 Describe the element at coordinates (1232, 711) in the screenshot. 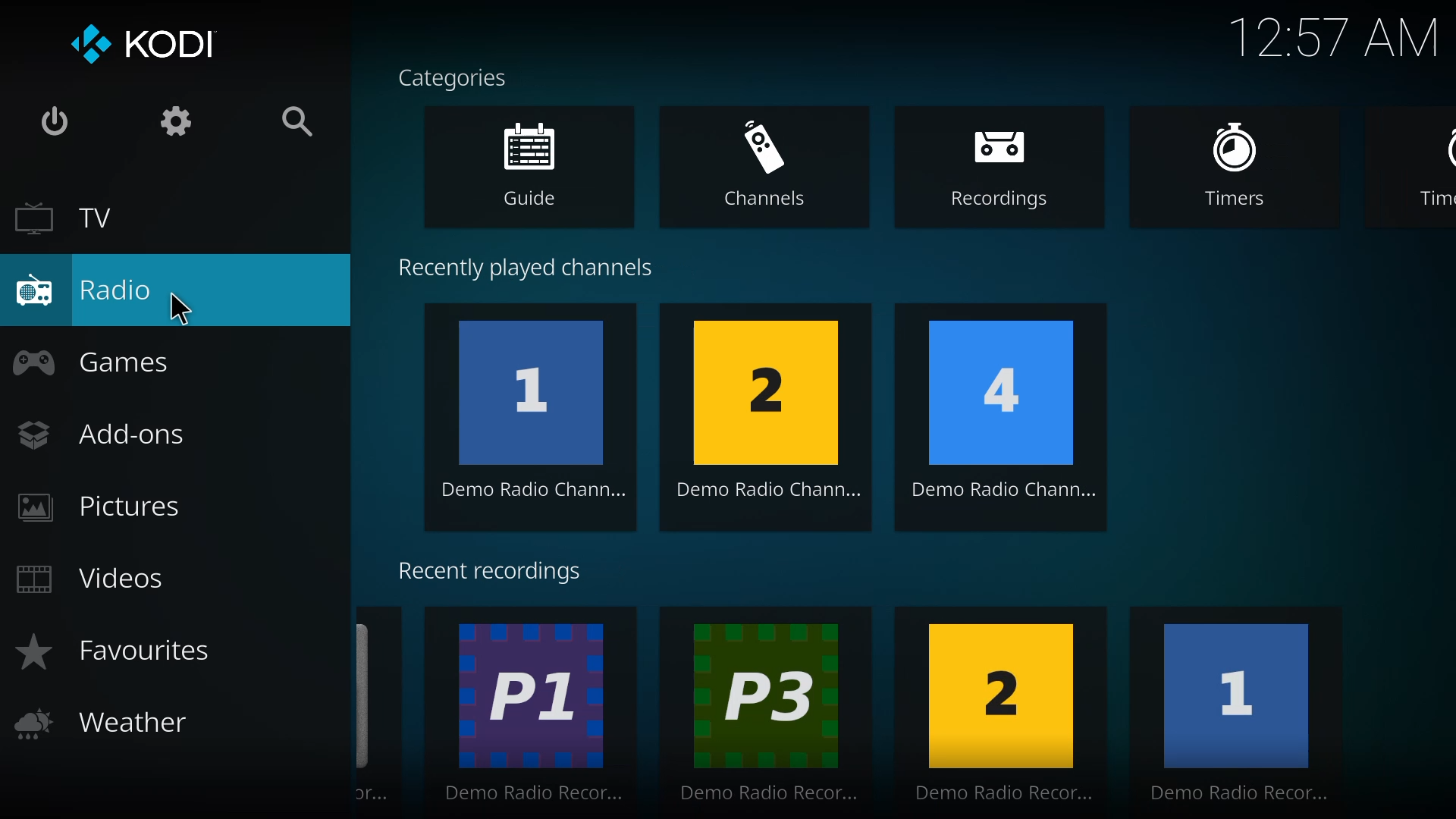

I see `1 Demo Radio Recor...` at that location.